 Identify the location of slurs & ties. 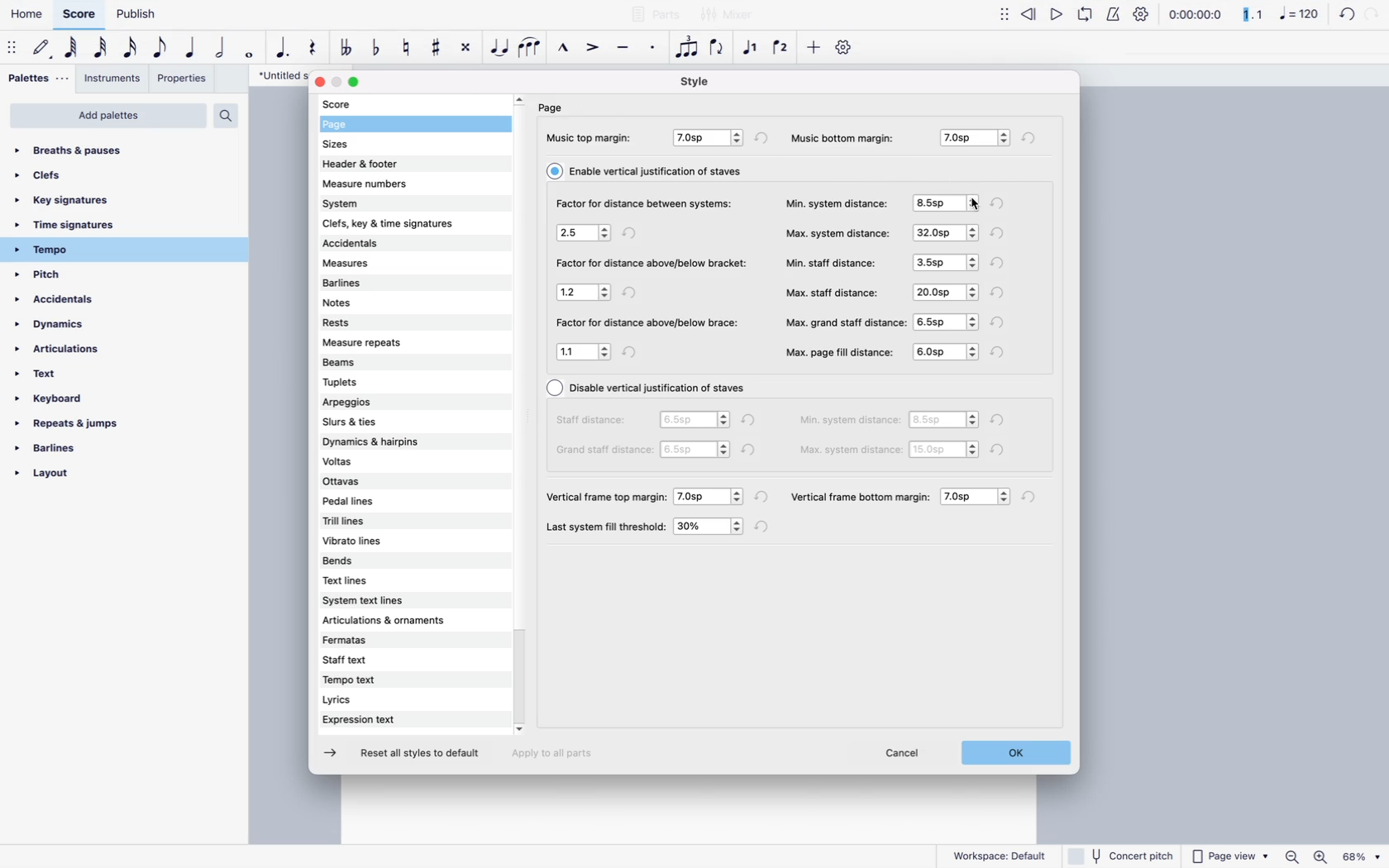
(387, 420).